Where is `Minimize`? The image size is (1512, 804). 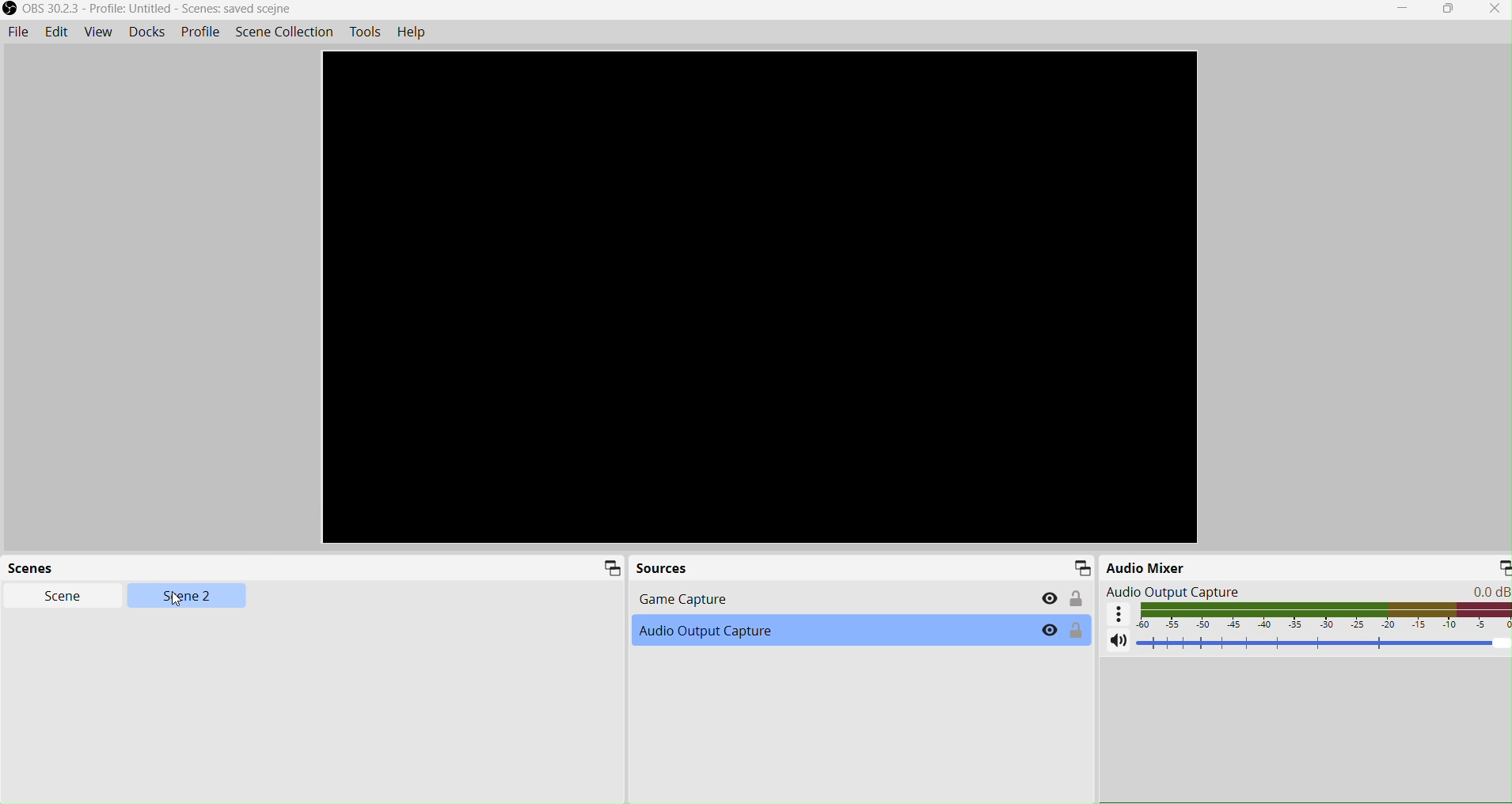
Minimize is located at coordinates (610, 568).